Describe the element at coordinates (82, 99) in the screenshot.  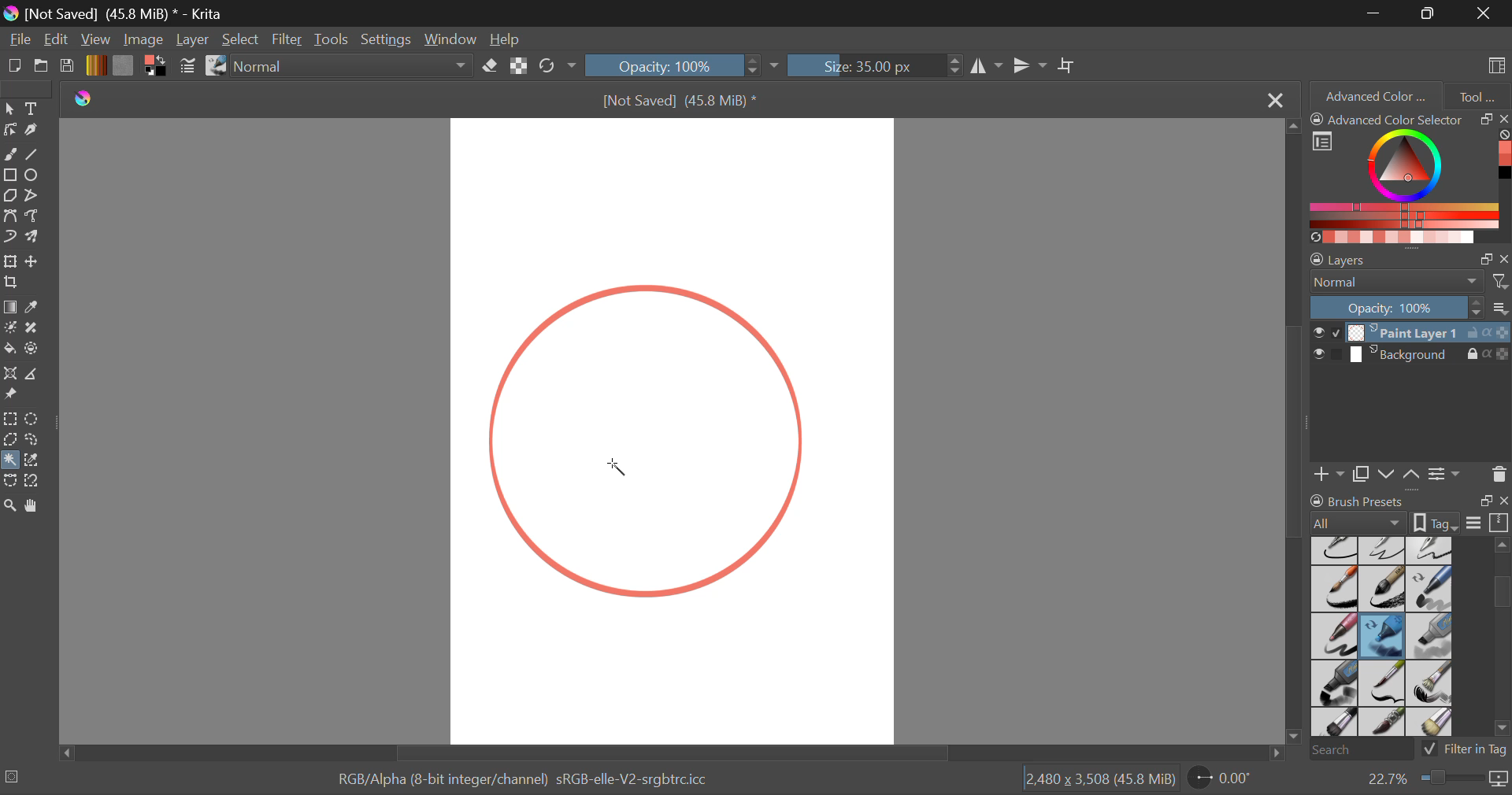
I see `Krita Logo` at that location.